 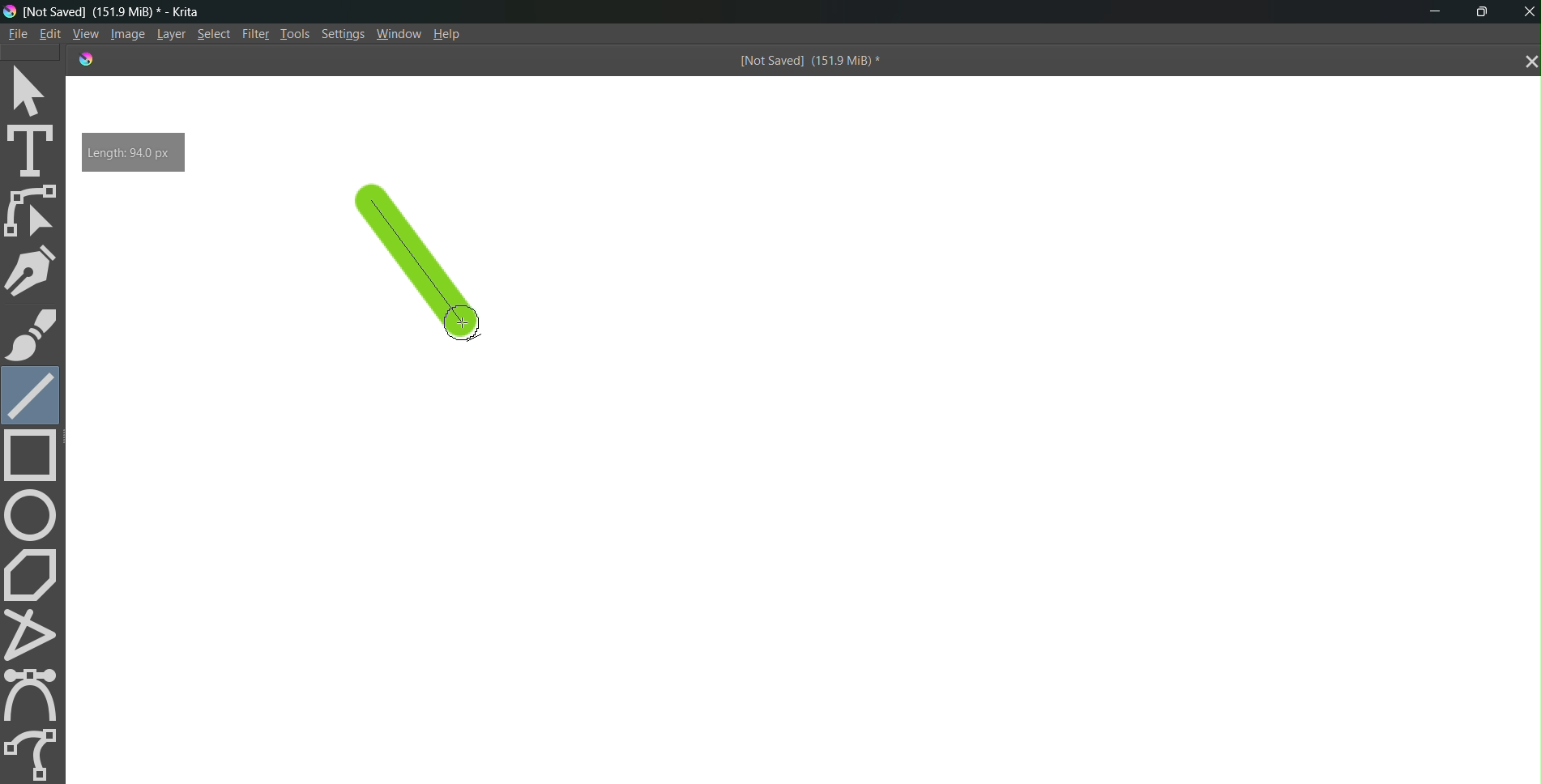 What do you see at coordinates (34, 573) in the screenshot?
I see `polygon` at bounding box center [34, 573].